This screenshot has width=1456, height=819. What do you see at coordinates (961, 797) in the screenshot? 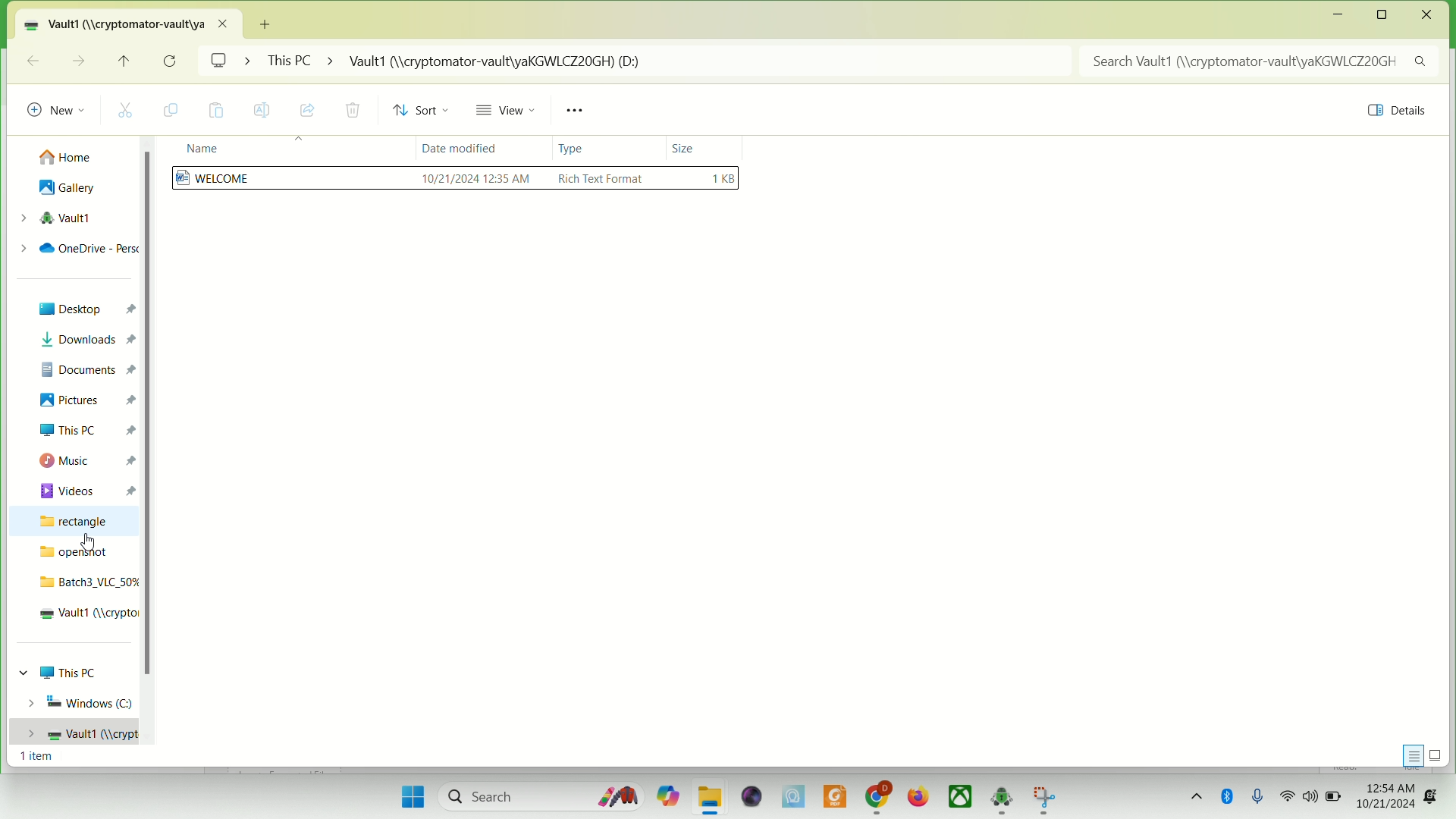
I see `Xbox` at bounding box center [961, 797].